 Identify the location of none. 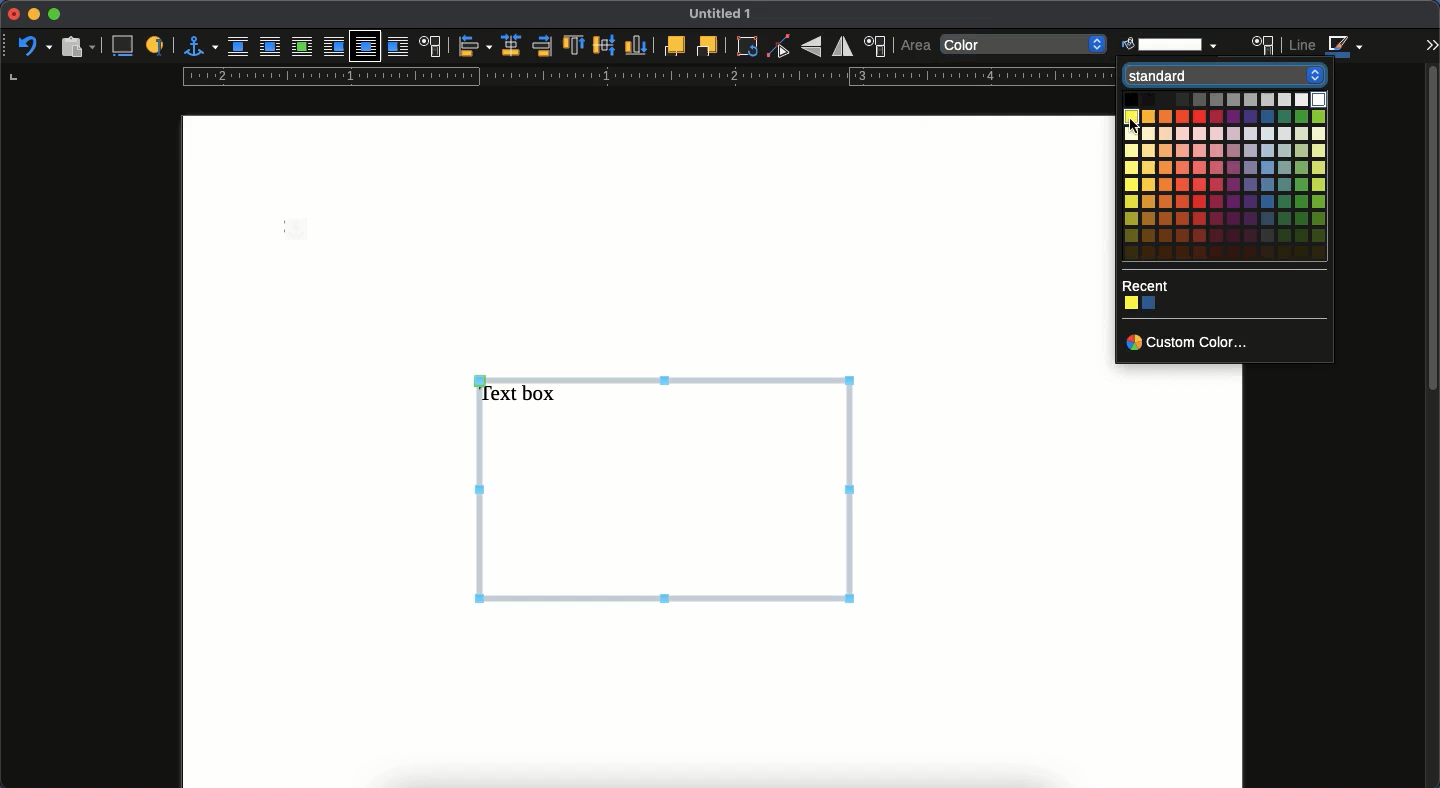
(1025, 46).